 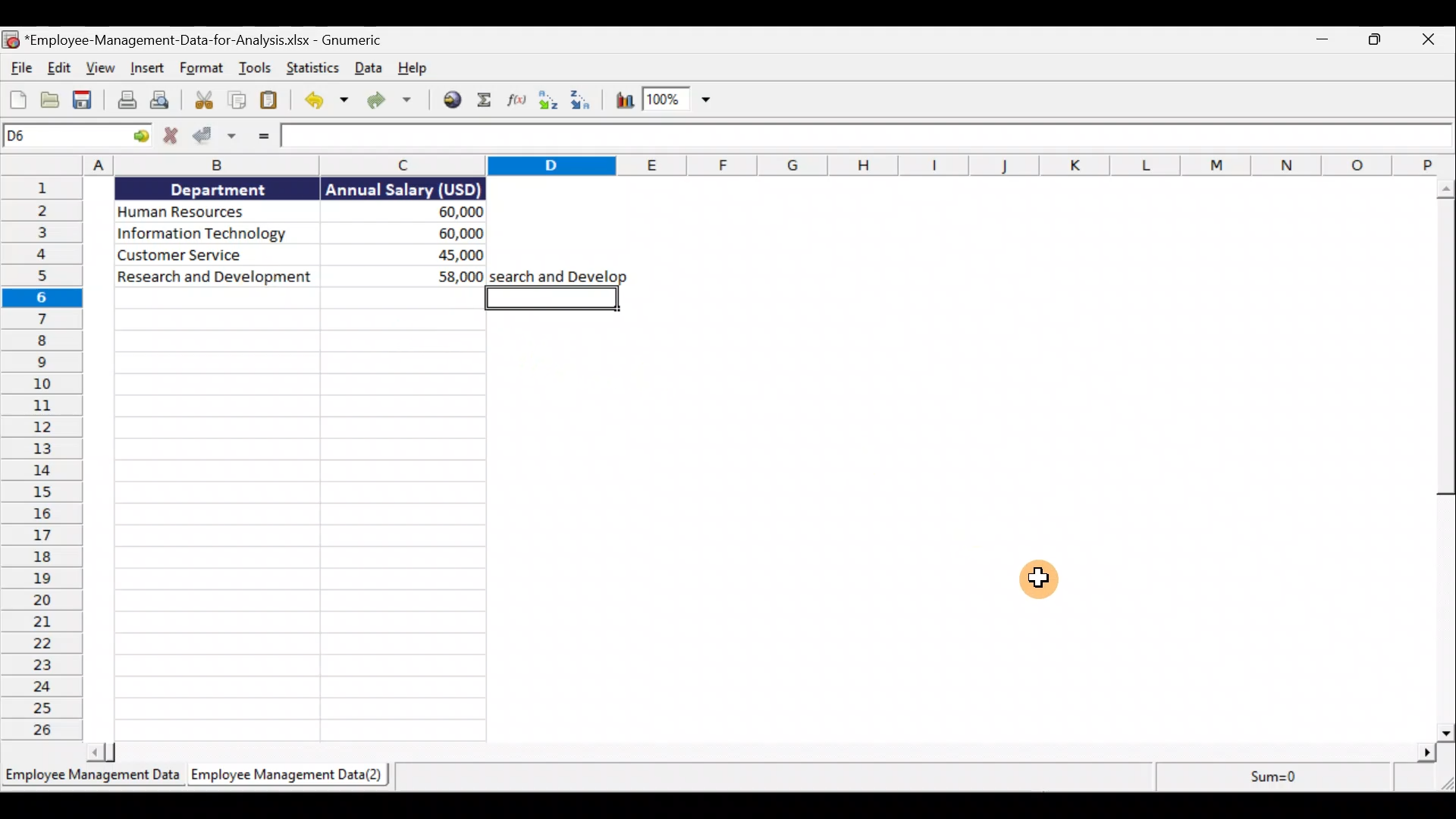 What do you see at coordinates (367, 69) in the screenshot?
I see `Data` at bounding box center [367, 69].